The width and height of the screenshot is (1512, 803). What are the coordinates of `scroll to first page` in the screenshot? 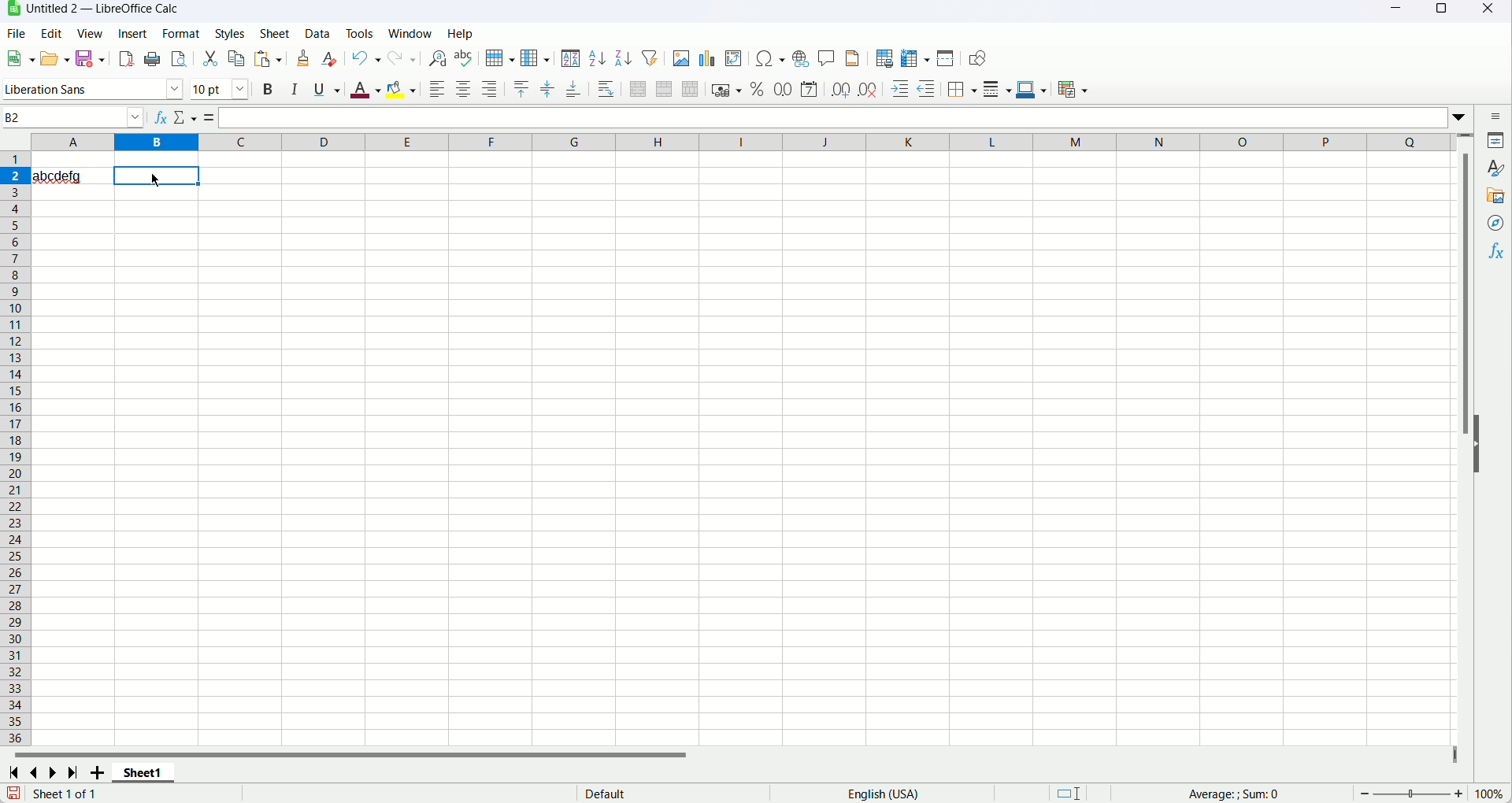 It's located at (13, 772).